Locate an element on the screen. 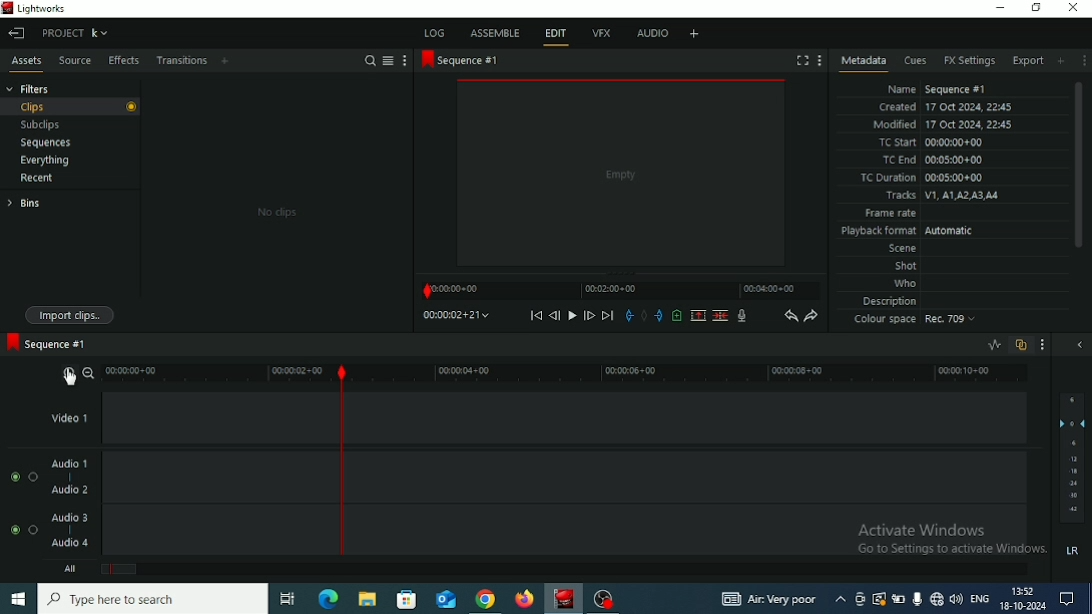 The image size is (1092, 614). Meet Now is located at coordinates (860, 600).